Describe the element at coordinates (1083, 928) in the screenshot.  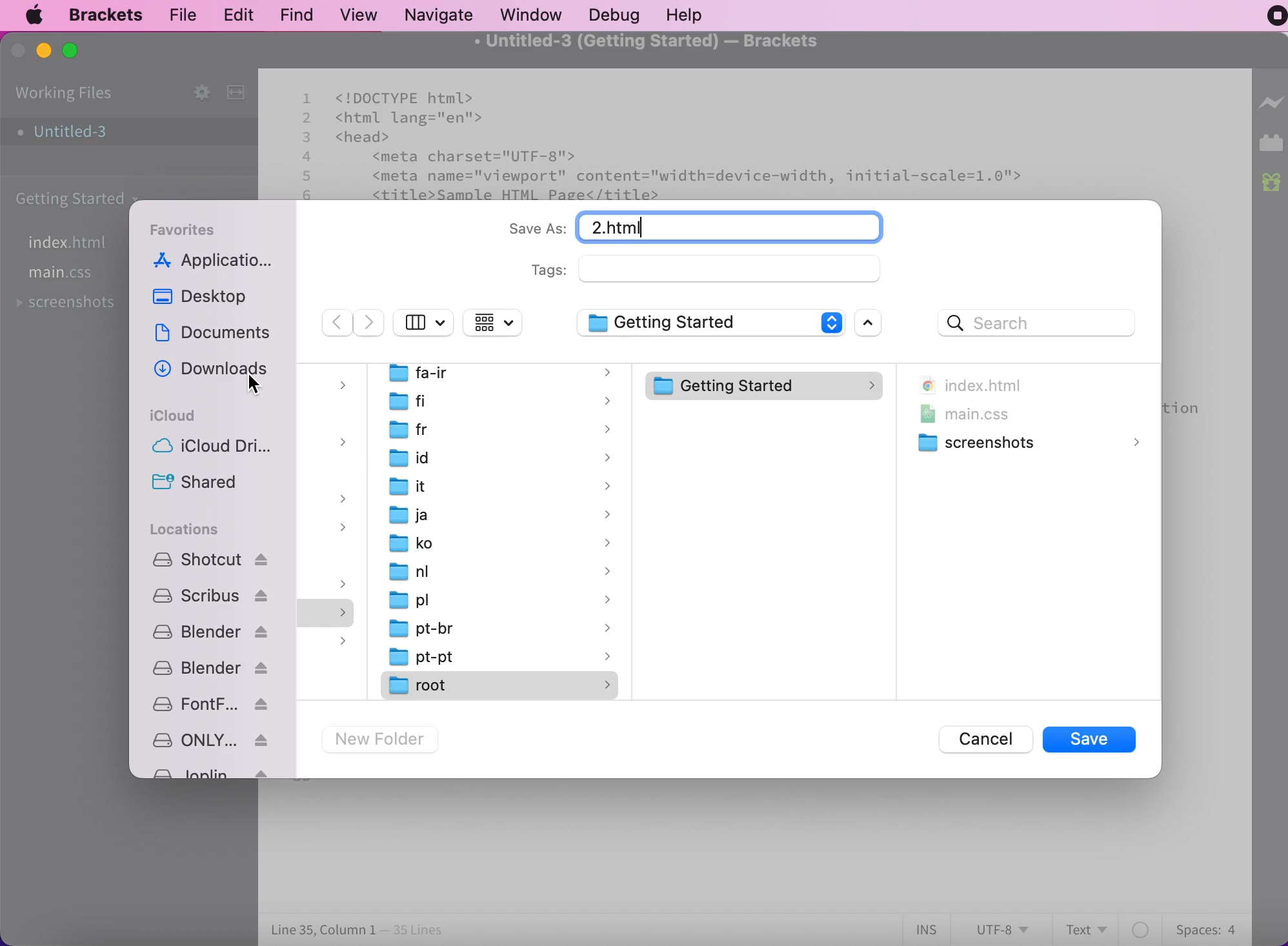
I see `text` at that location.